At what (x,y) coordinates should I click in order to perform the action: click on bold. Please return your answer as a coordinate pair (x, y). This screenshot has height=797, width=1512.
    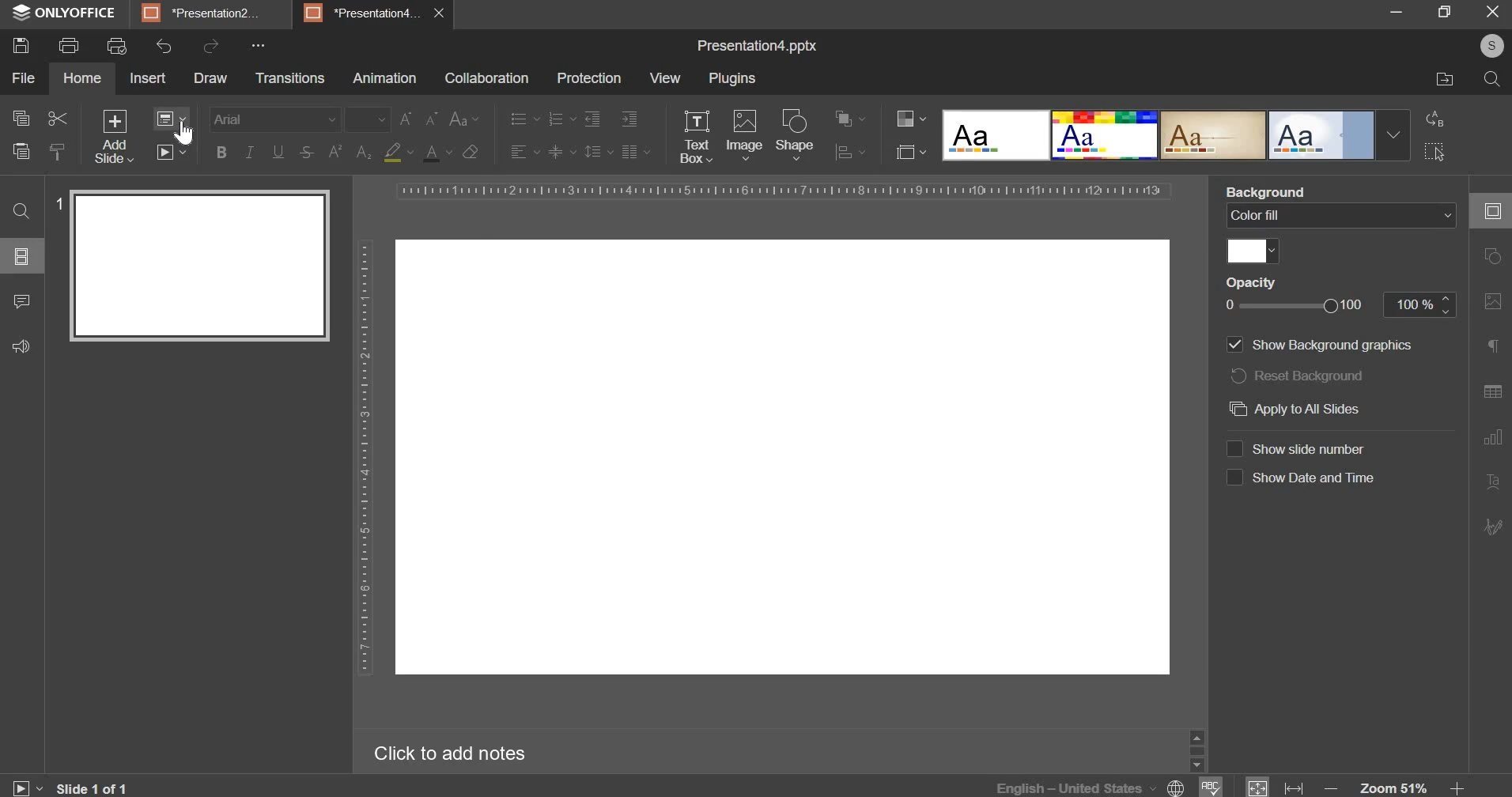
    Looking at the image, I should click on (221, 151).